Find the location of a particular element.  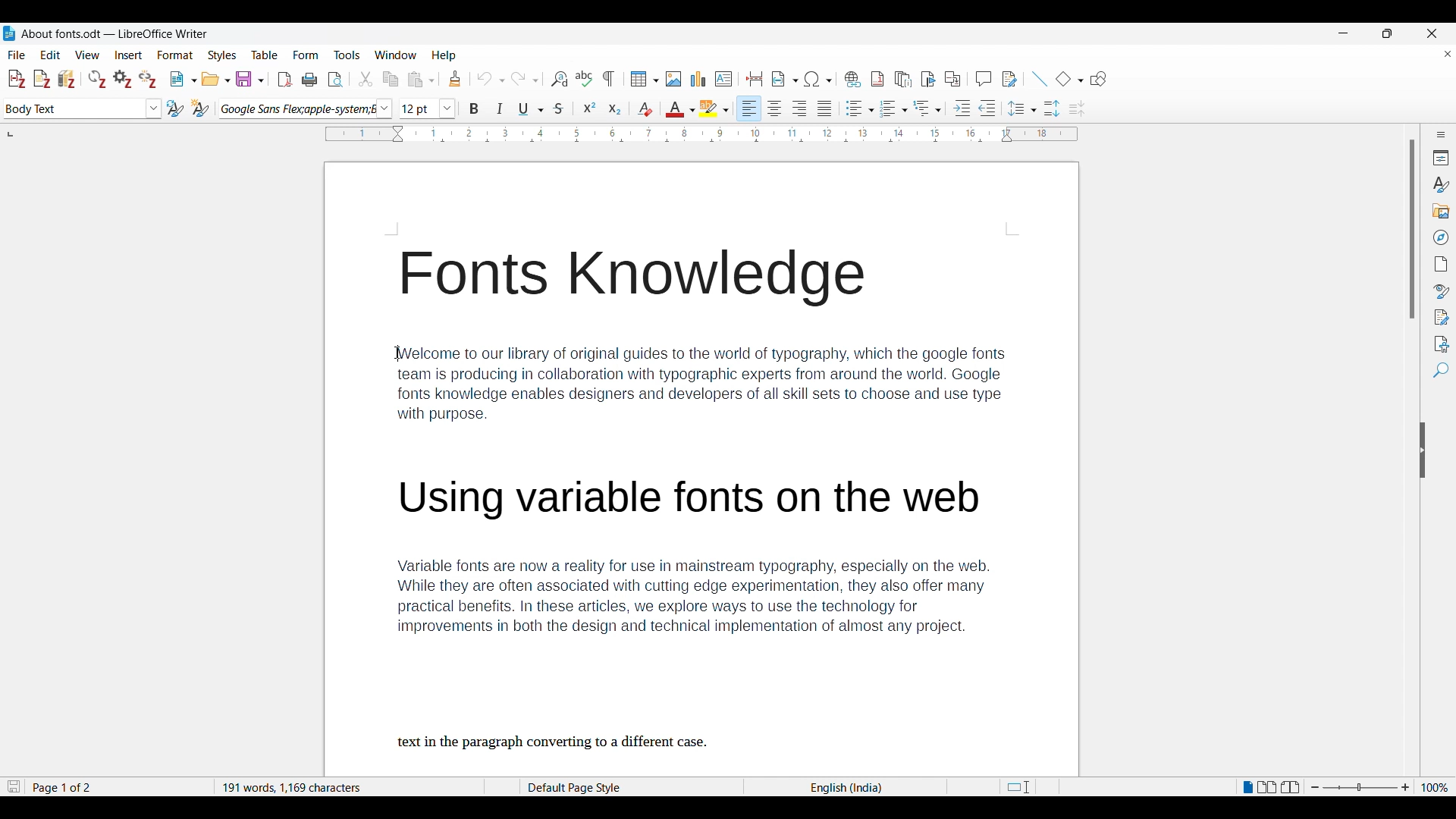

Vertical slide bar is located at coordinates (1413, 229).